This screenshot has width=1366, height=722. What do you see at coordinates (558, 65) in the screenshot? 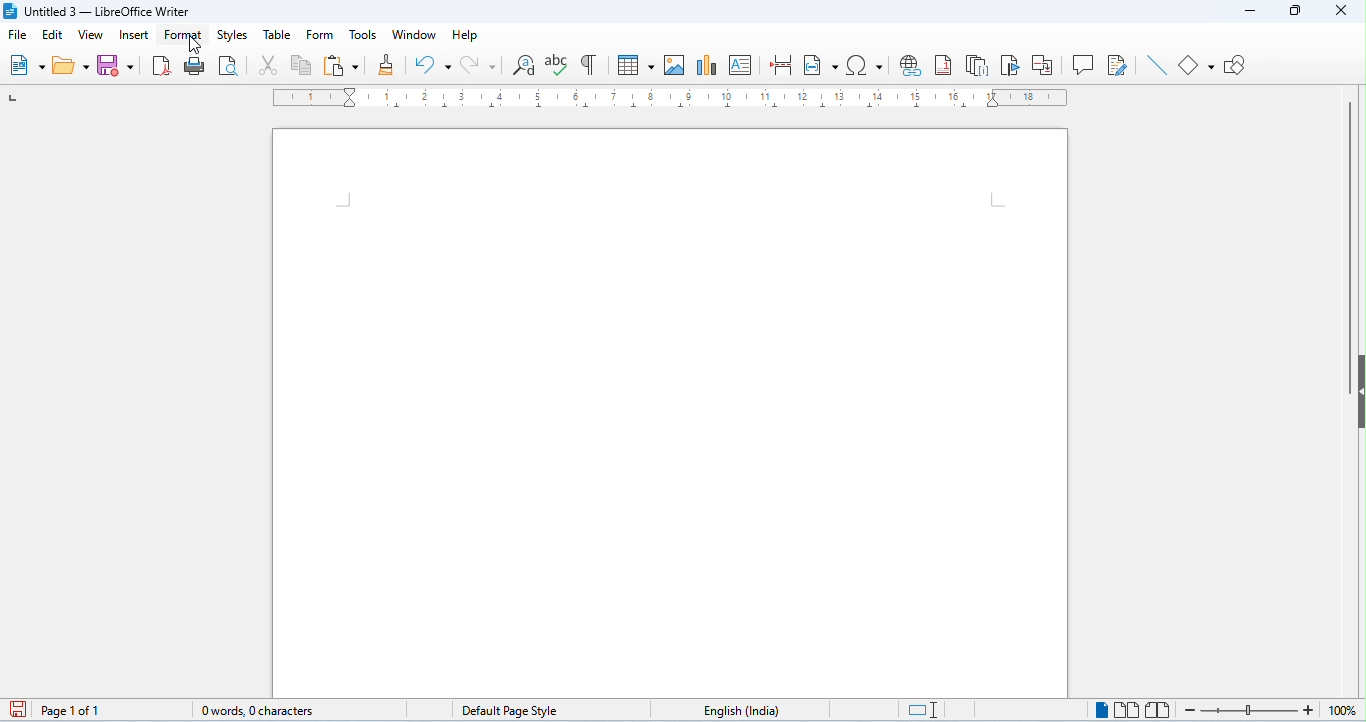
I see `spelling` at bounding box center [558, 65].